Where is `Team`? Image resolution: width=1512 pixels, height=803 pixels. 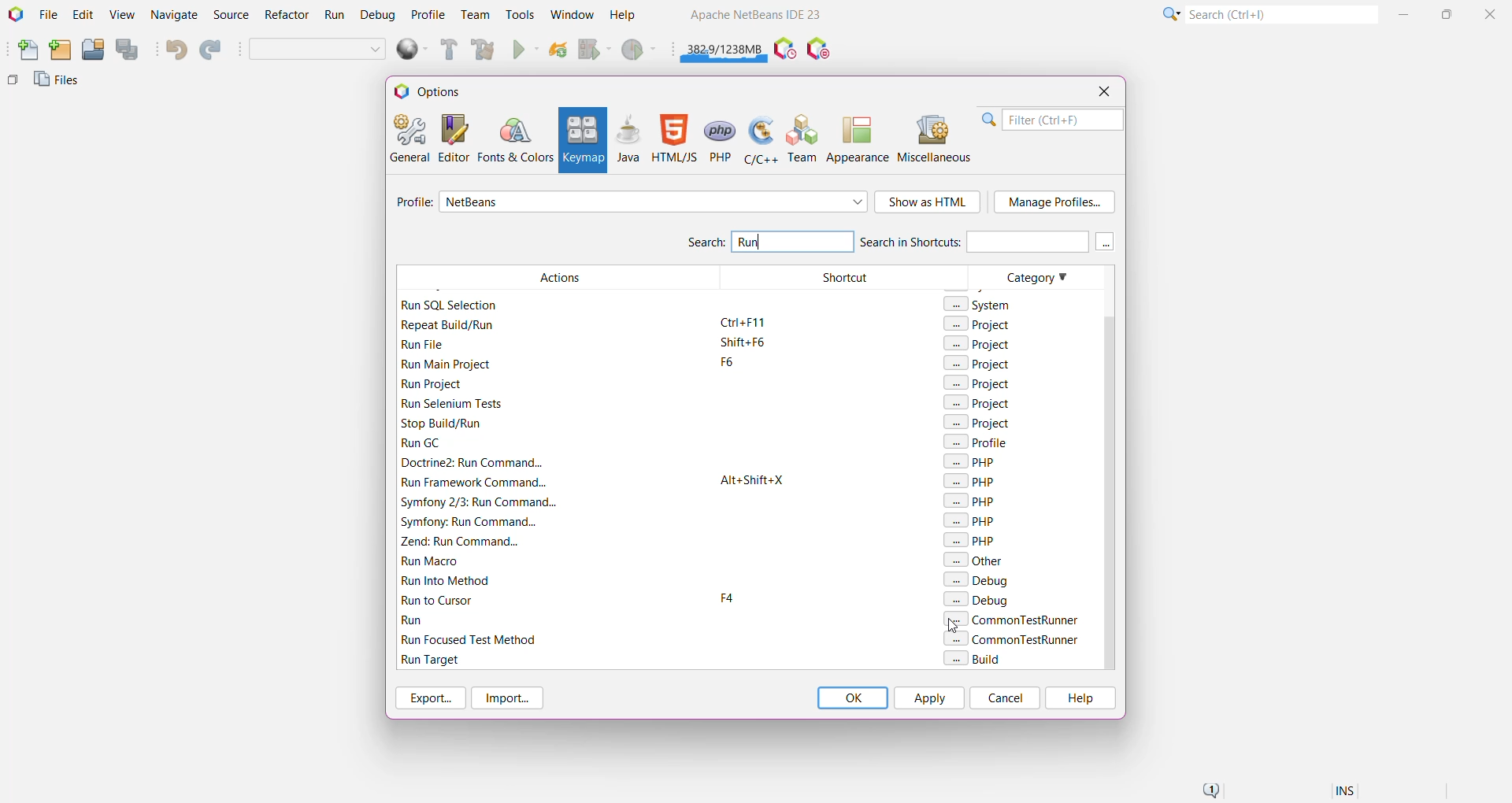 Team is located at coordinates (474, 15).